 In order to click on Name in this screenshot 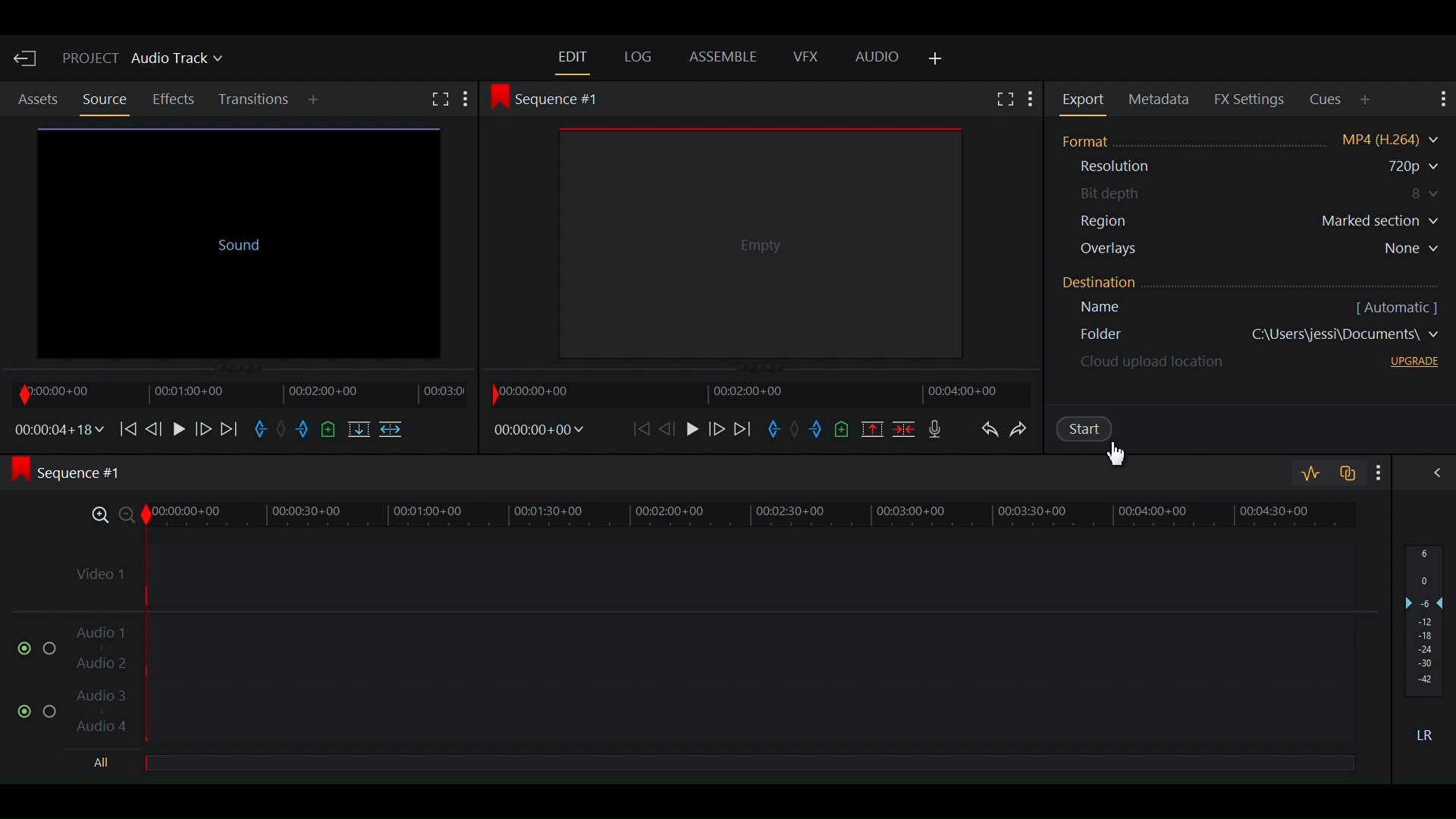, I will do `click(1125, 310)`.